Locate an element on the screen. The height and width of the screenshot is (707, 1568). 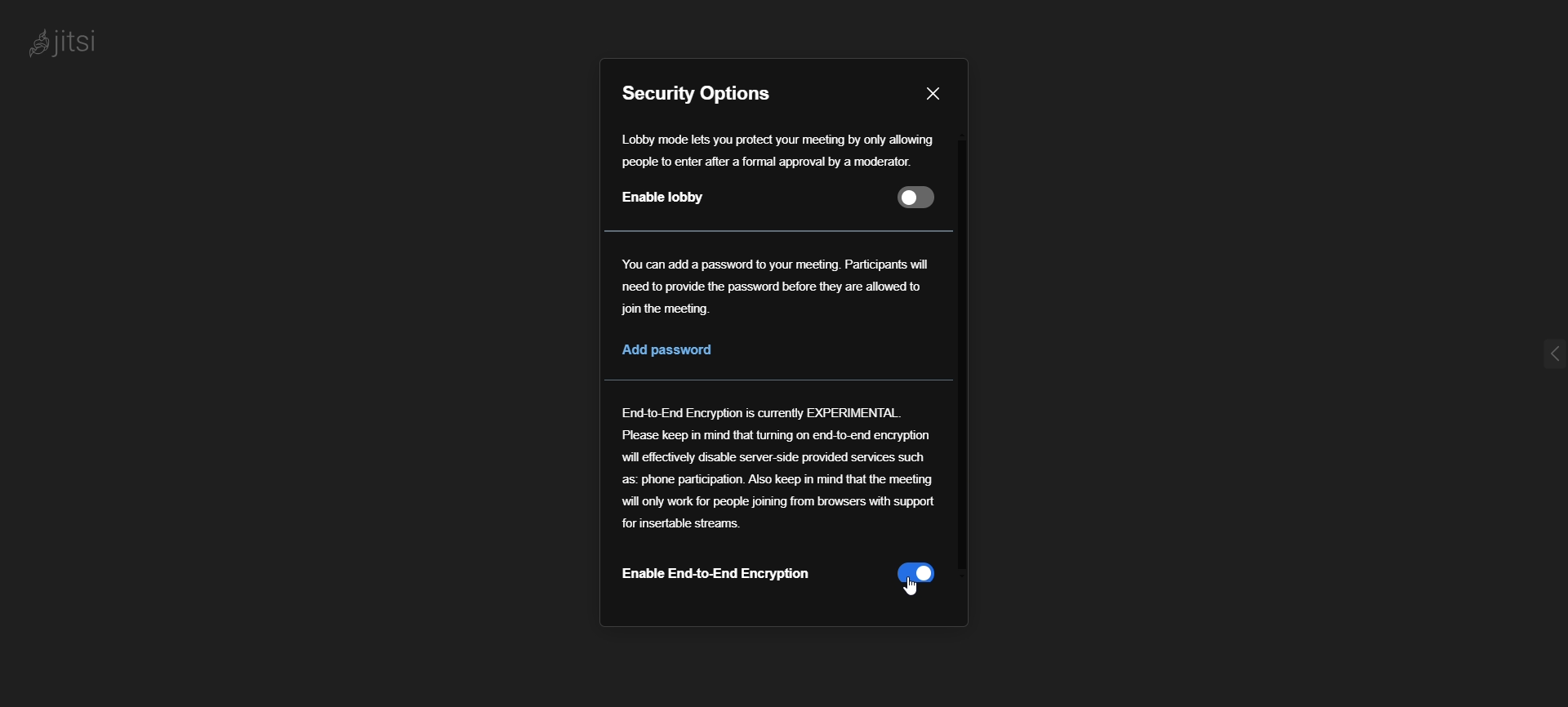
Lobby mode lets you protect your meeting by only allowing
people to enter after a formal approval by a moderator. is located at coordinates (778, 149).